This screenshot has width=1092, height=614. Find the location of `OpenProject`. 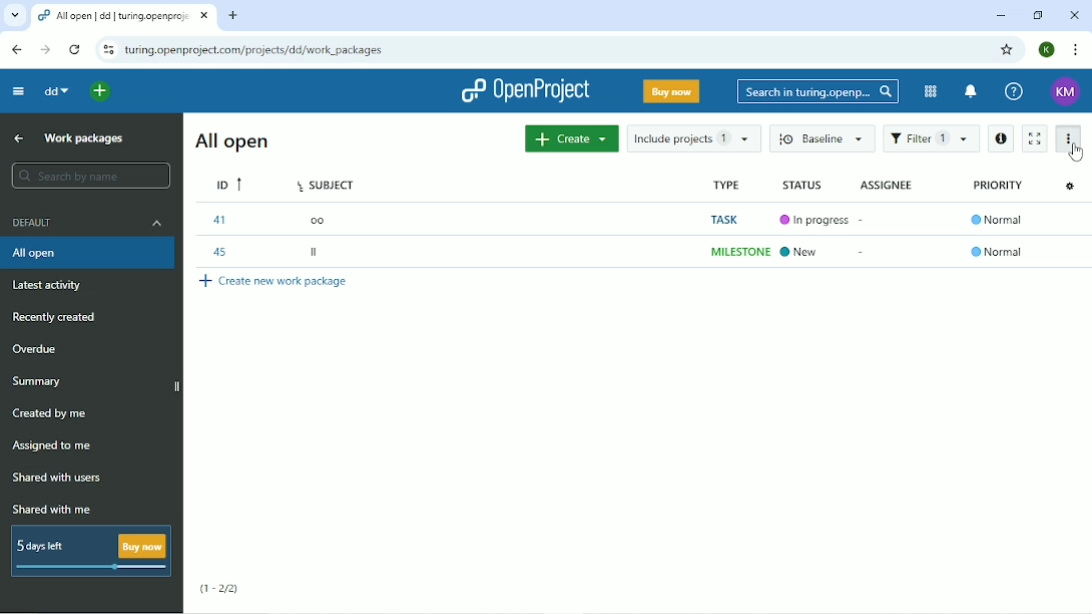

OpenProject is located at coordinates (525, 90).